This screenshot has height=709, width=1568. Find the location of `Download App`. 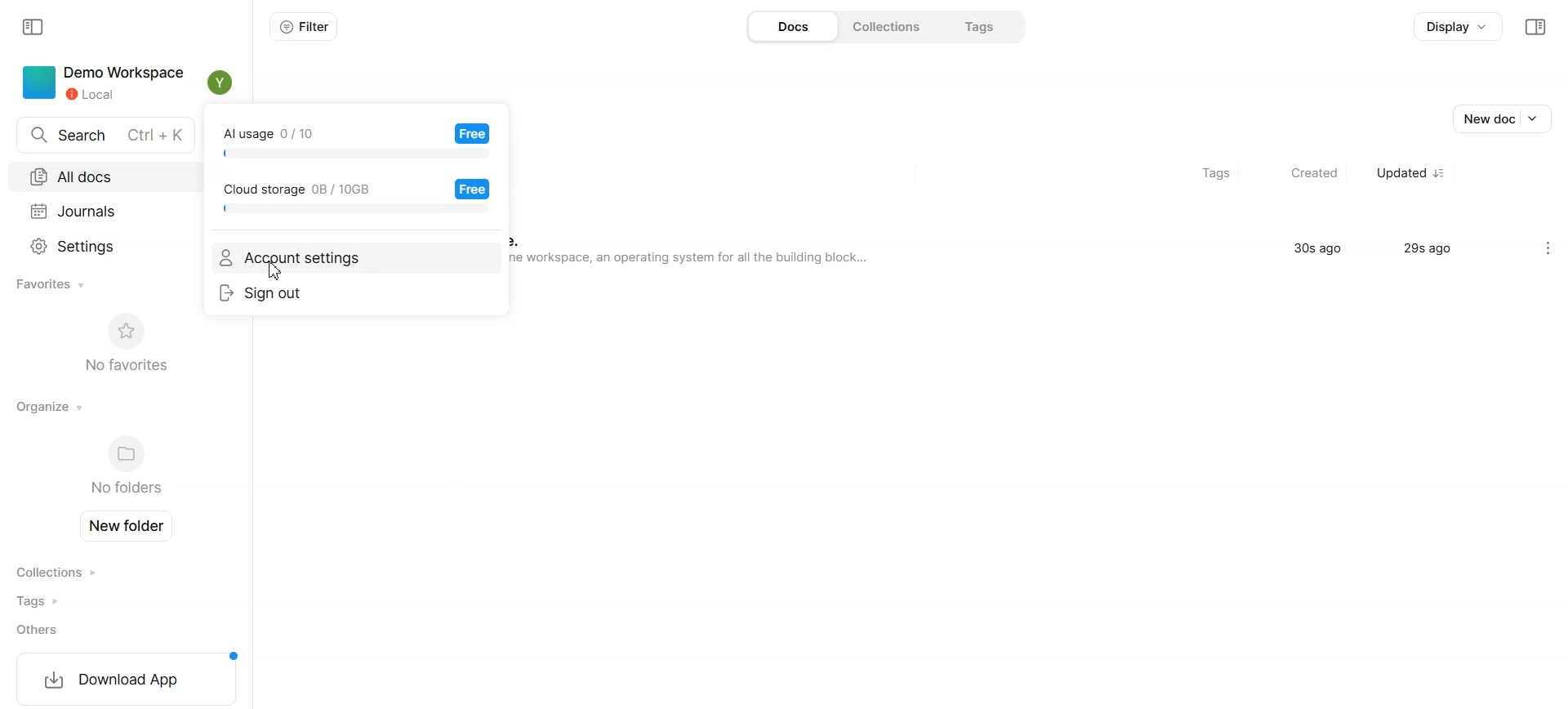

Download App is located at coordinates (124, 678).